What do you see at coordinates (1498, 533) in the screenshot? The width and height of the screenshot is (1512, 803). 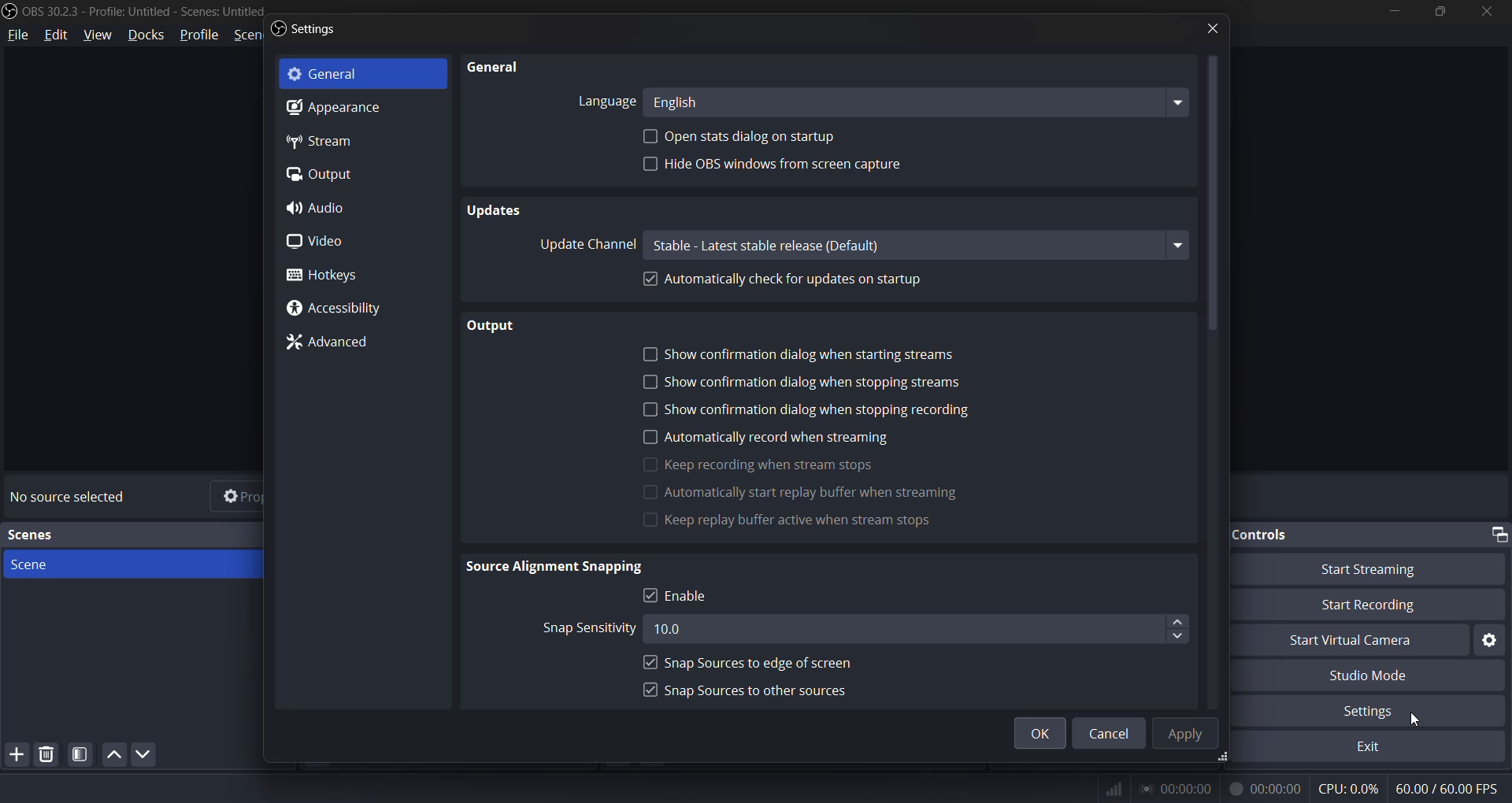 I see `float window` at bounding box center [1498, 533].